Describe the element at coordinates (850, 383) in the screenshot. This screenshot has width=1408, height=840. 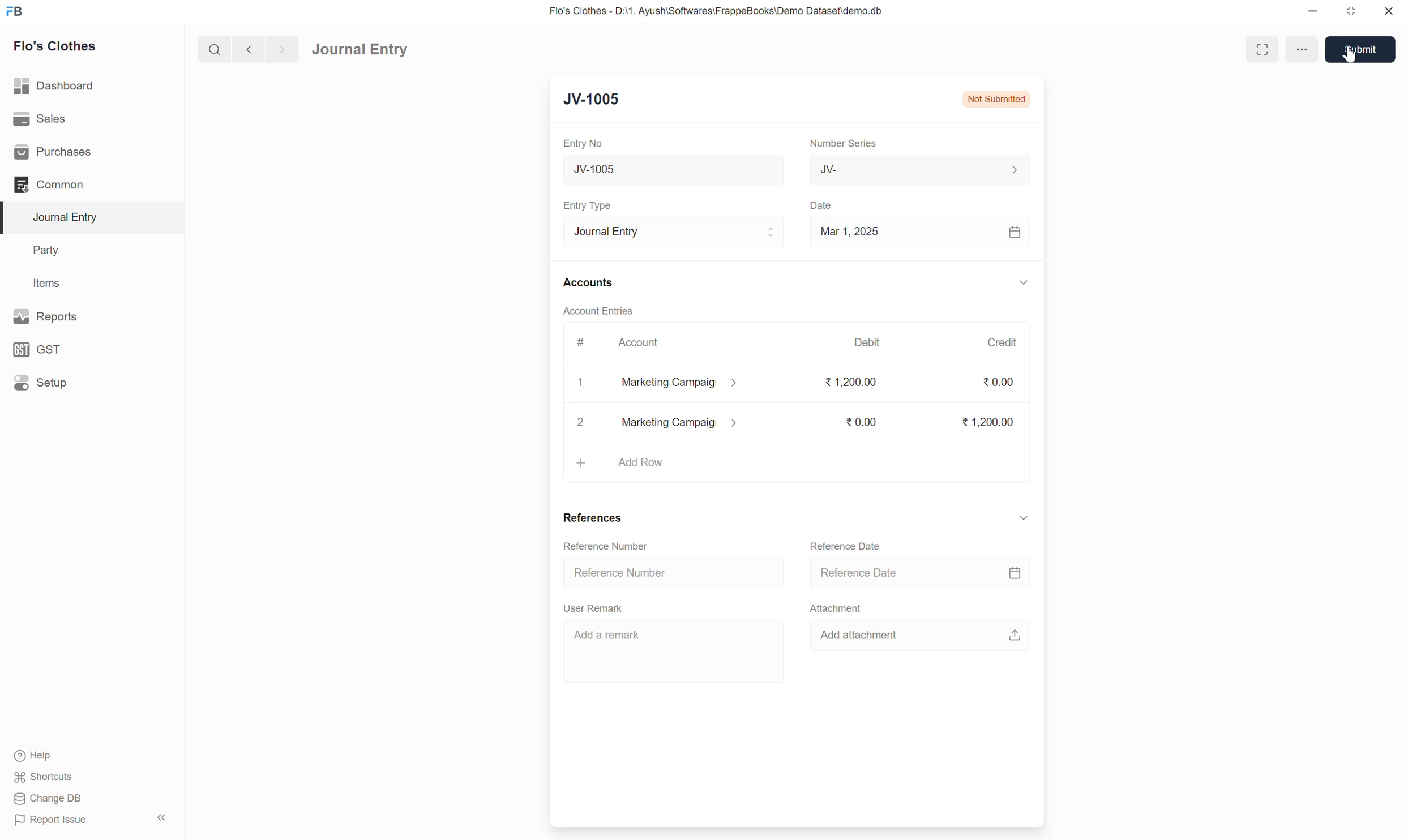
I see `1,200.00` at that location.